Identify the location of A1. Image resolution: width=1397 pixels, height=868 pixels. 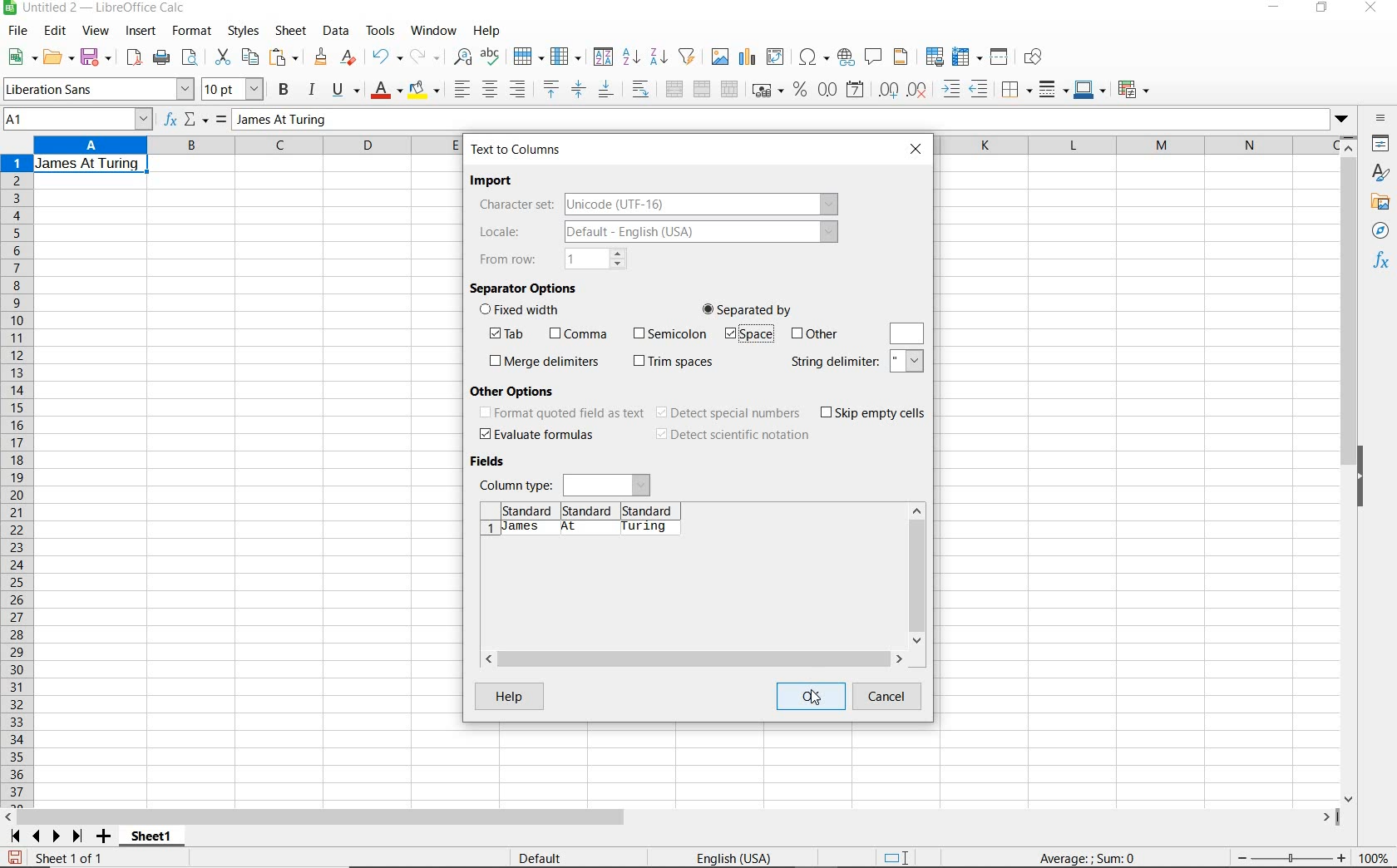
(76, 121).